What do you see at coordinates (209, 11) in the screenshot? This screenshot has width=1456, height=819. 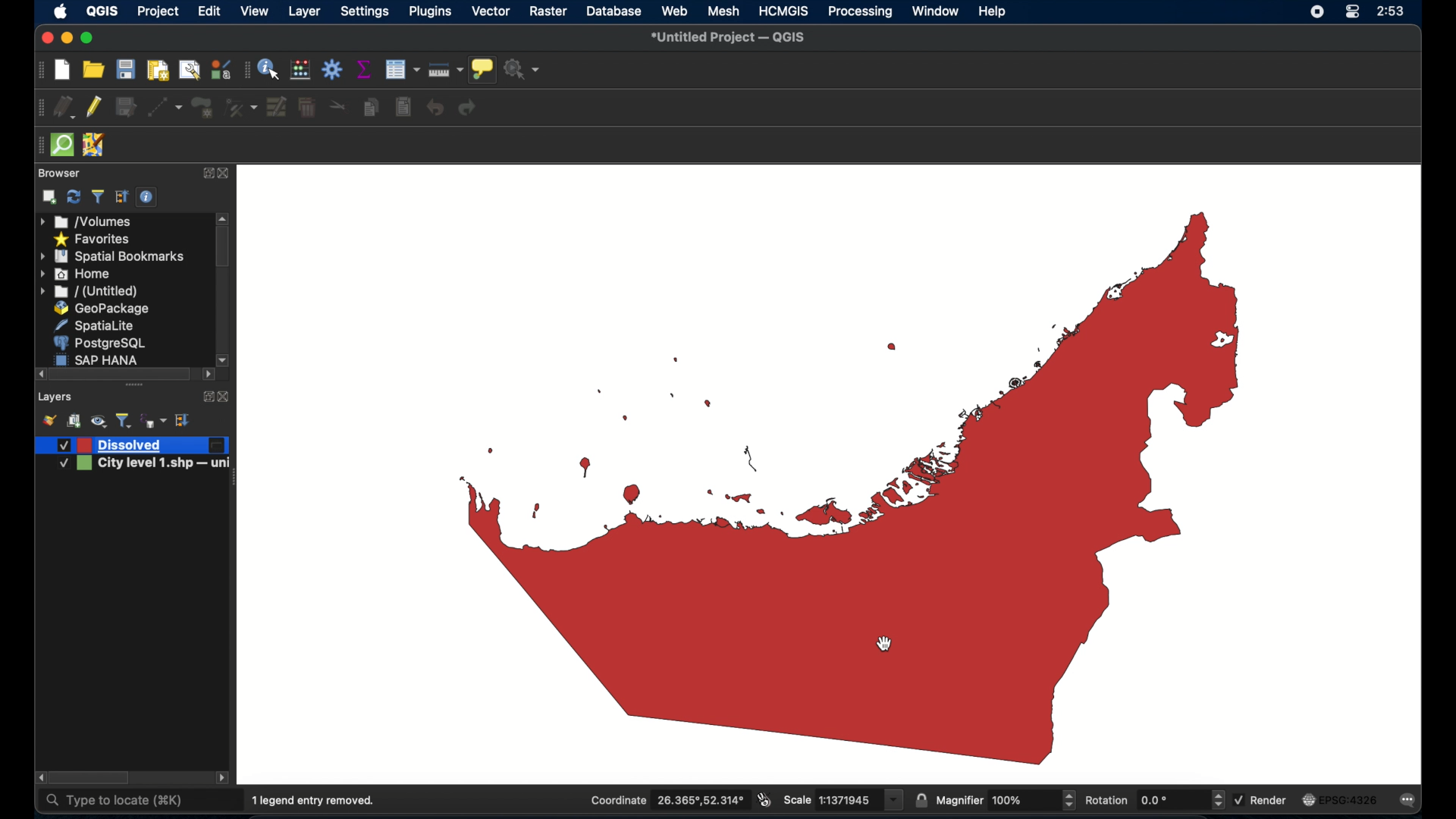 I see `edit` at bounding box center [209, 11].